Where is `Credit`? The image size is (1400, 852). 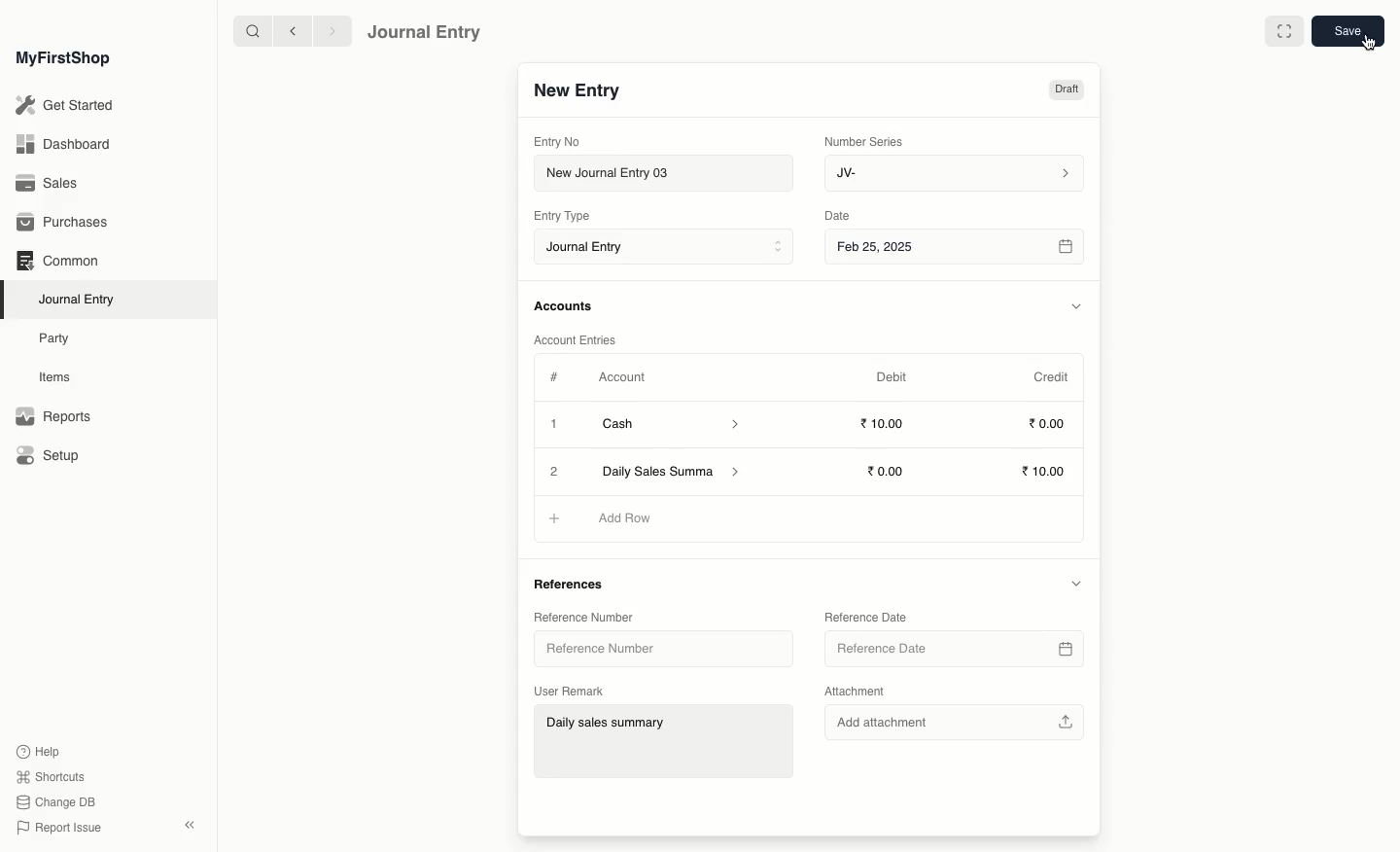 Credit is located at coordinates (1050, 375).